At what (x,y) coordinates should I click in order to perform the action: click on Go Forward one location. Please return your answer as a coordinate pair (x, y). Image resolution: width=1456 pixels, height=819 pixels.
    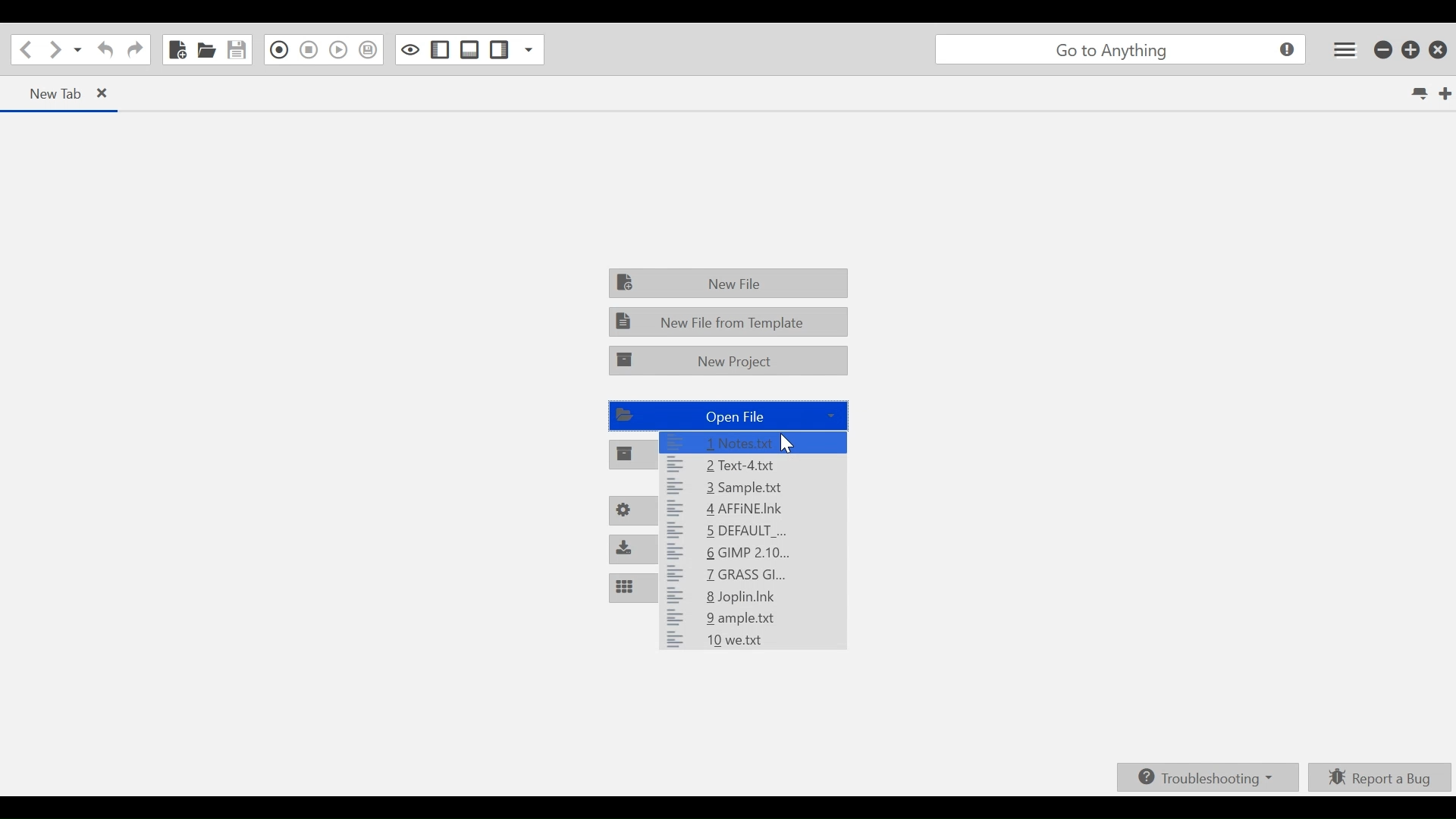
    Looking at the image, I should click on (54, 49).